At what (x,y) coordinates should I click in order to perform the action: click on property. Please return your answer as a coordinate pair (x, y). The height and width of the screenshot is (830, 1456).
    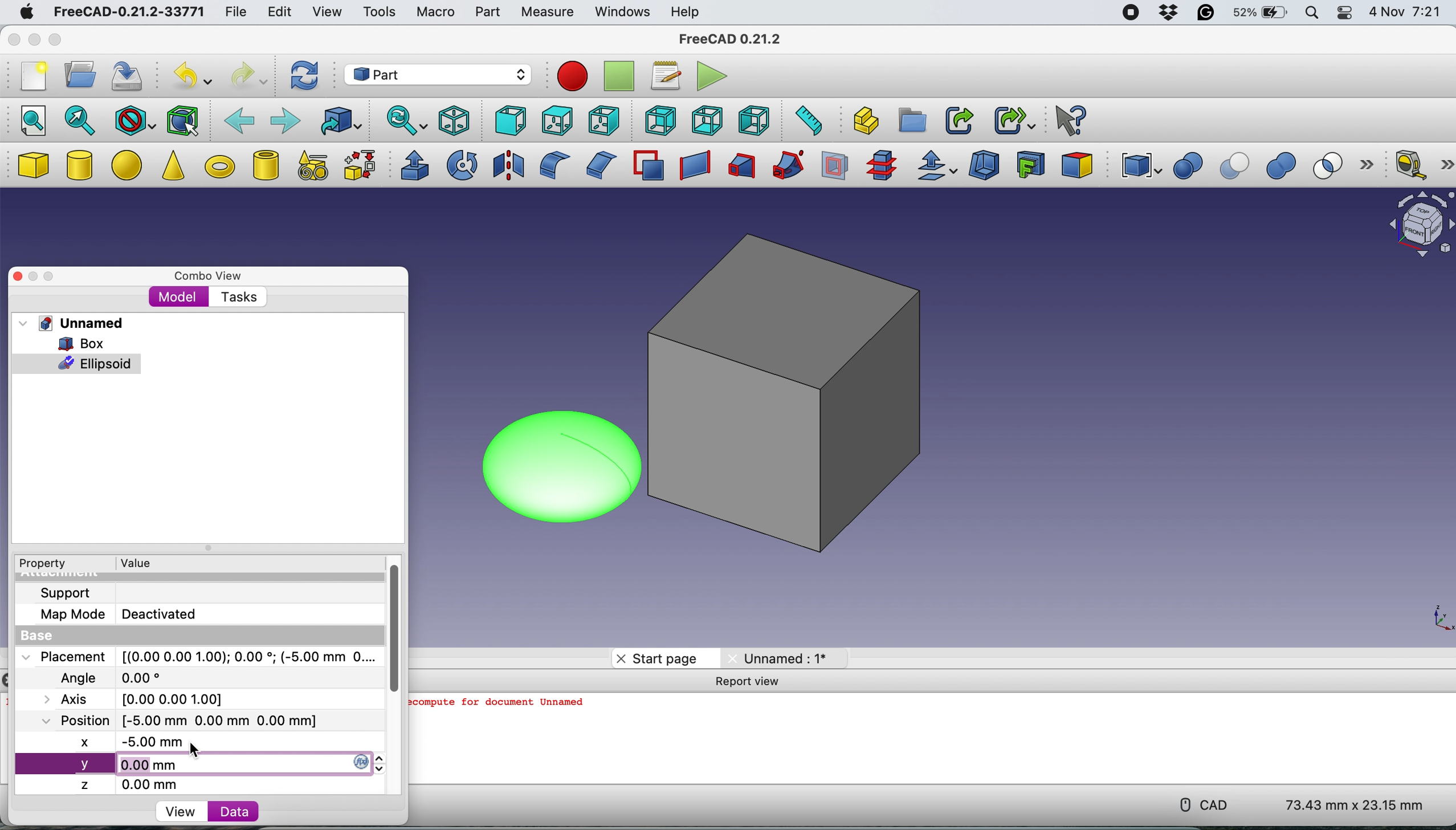
    Looking at the image, I should click on (41, 564).